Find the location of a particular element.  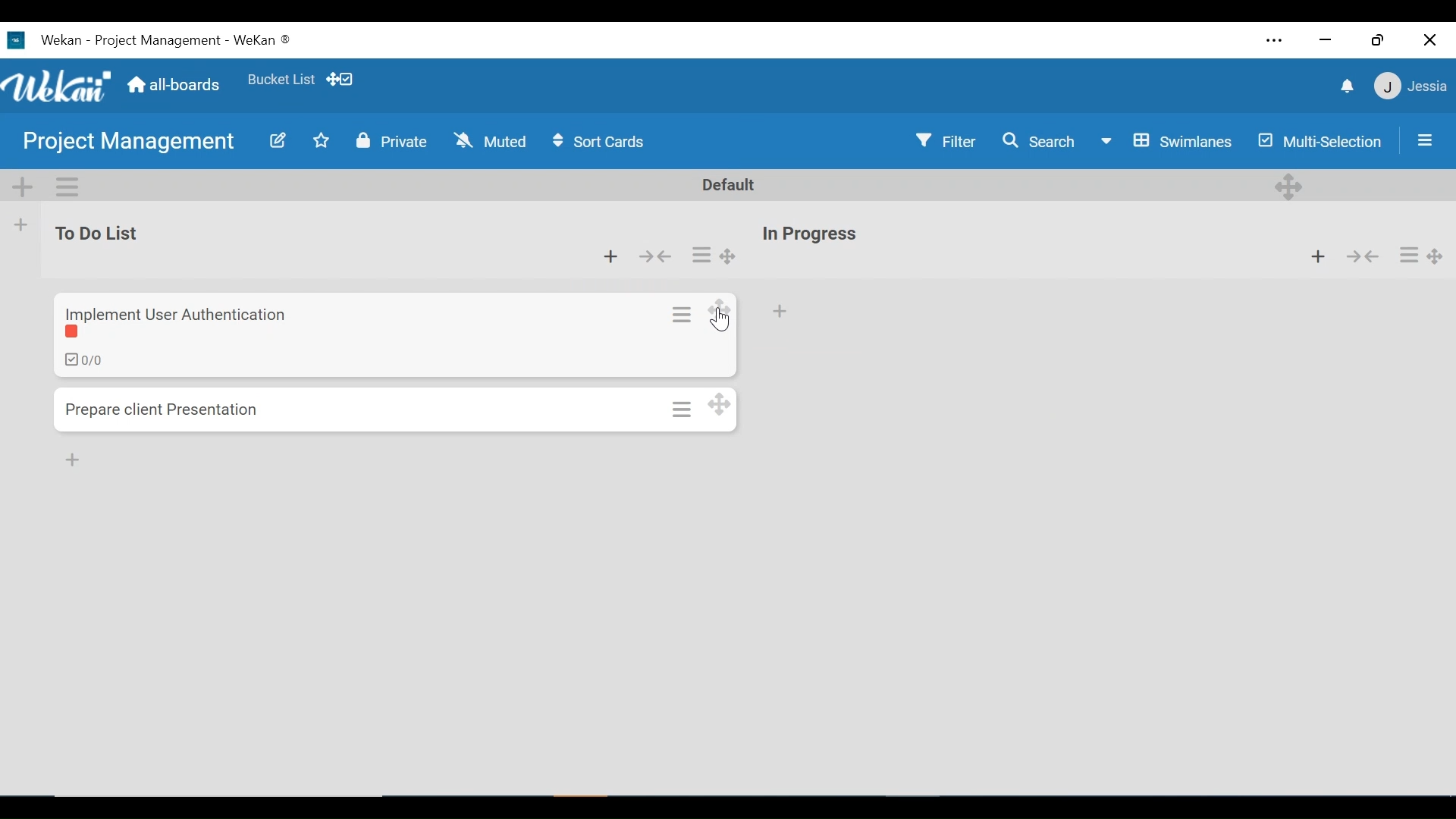

Private is located at coordinates (392, 140).